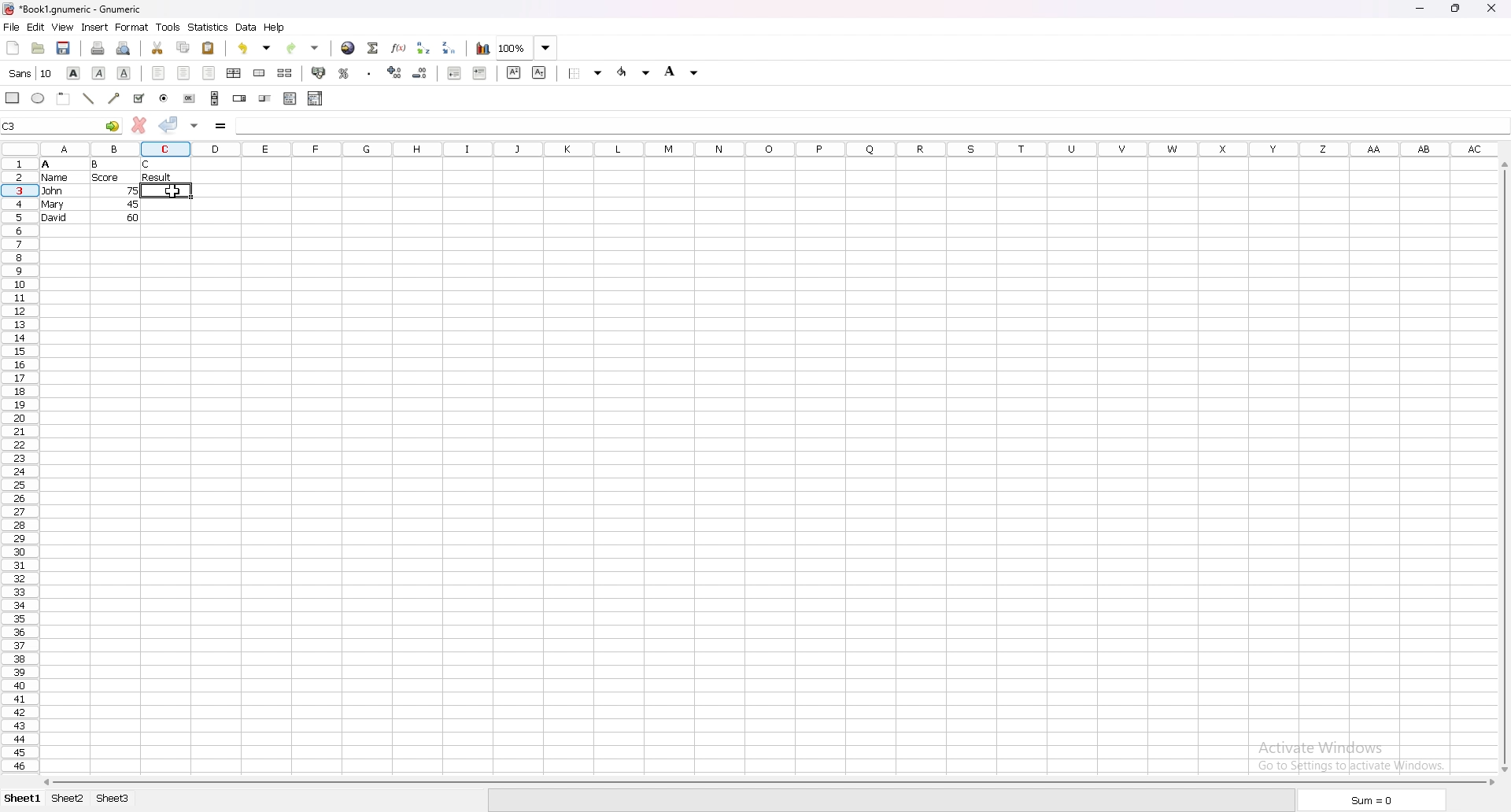 This screenshot has width=1511, height=812. What do you see at coordinates (215, 98) in the screenshot?
I see `scroll` at bounding box center [215, 98].